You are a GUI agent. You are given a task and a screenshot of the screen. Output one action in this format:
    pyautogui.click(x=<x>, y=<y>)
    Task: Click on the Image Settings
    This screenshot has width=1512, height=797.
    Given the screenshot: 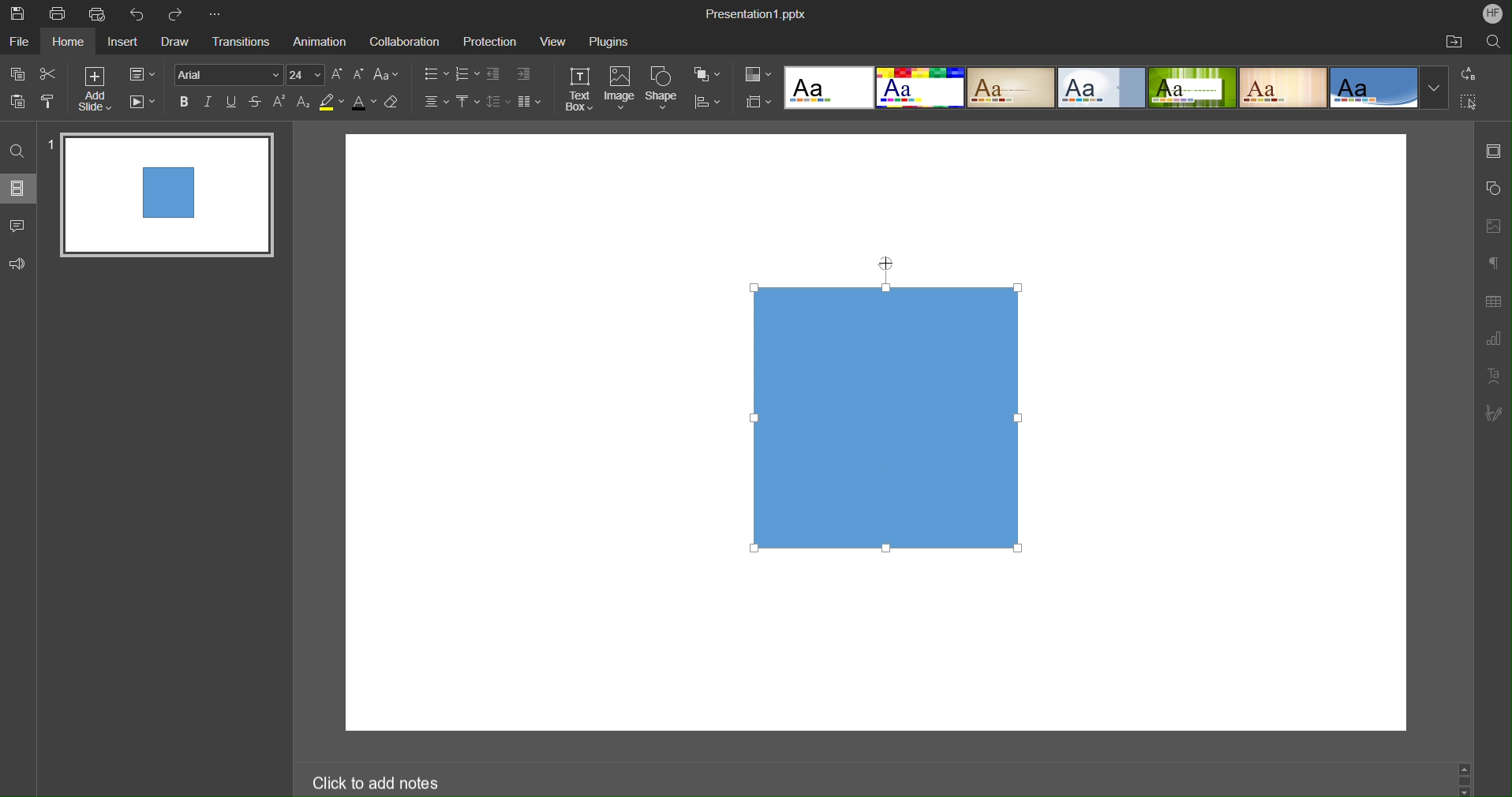 What is the action you would take?
    pyautogui.click(x=1492, y=226)
    